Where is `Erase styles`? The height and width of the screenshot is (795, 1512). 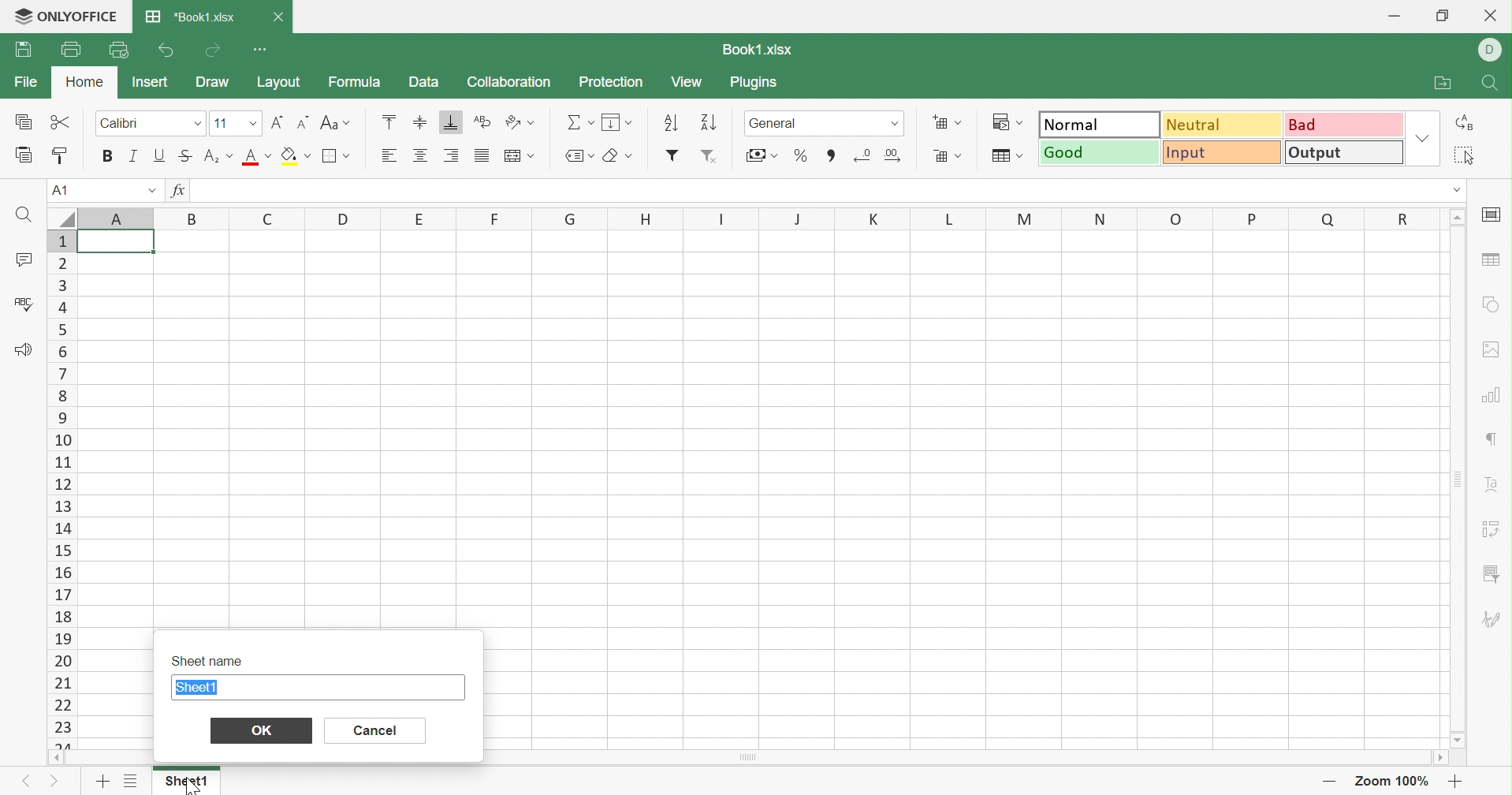
Erase styles is located at coordinates (626, 156).